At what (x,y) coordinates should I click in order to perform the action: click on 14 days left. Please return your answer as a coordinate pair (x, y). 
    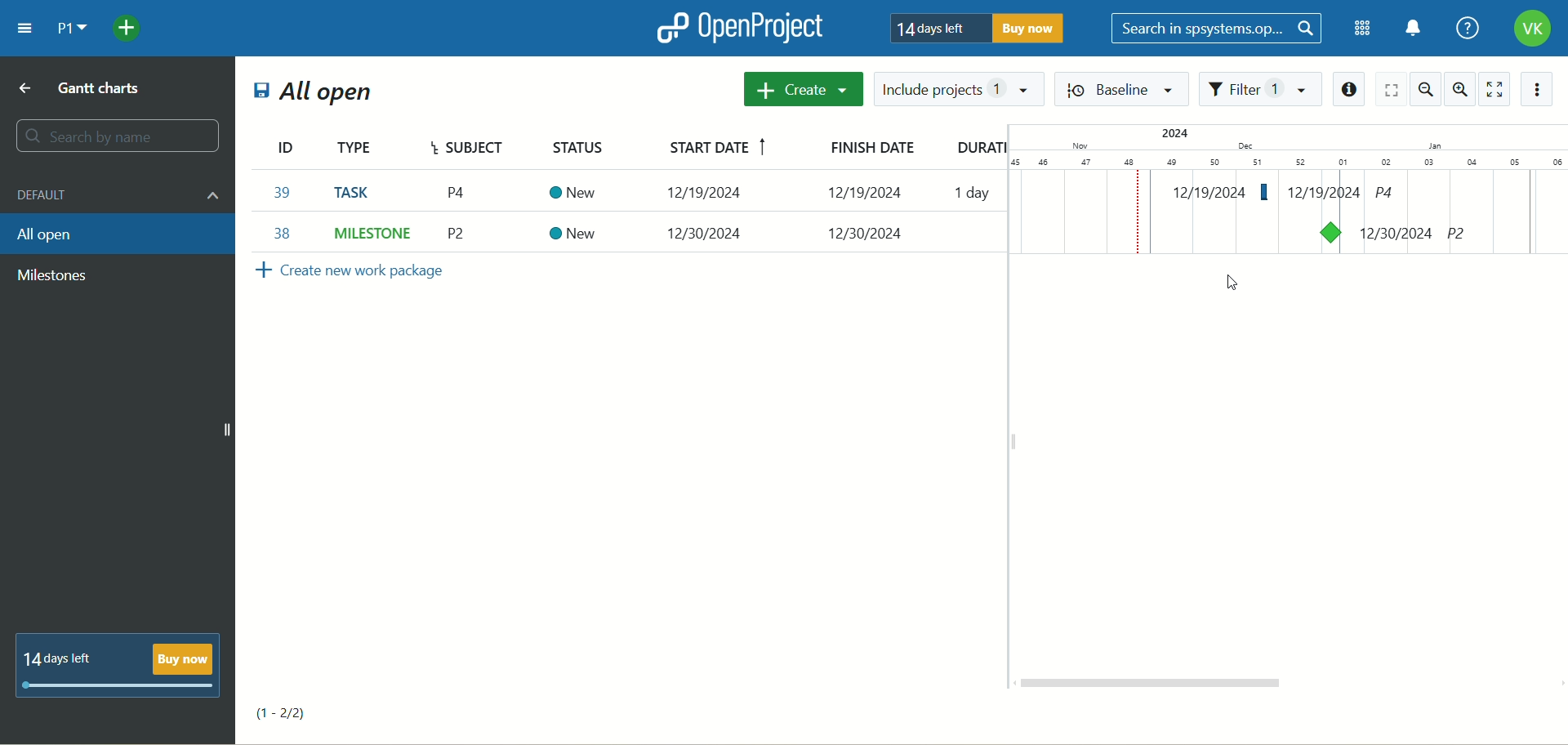
    Looking at the image, I should click on (938, 29).